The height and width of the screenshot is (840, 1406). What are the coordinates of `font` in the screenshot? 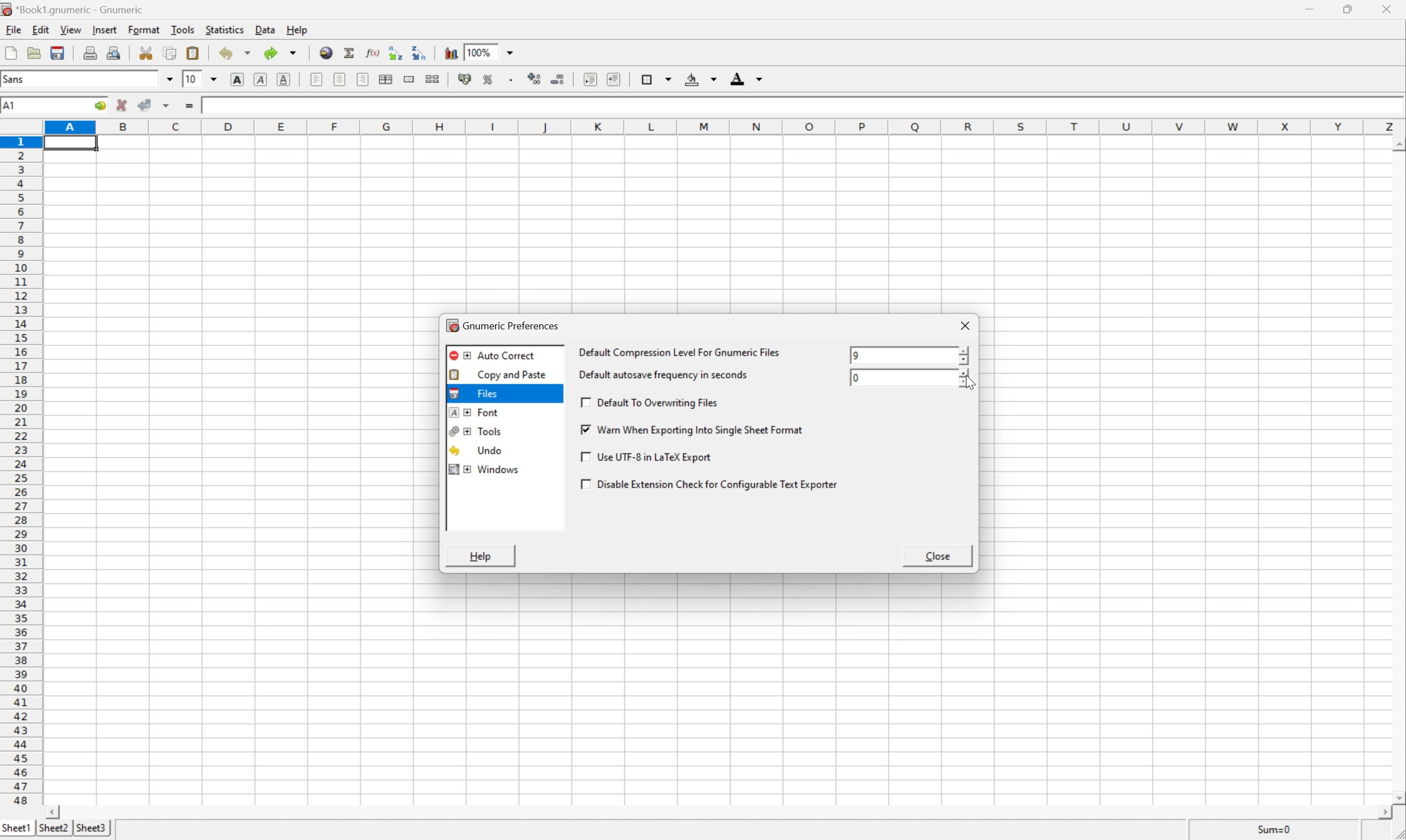 It's located at (474, 412).